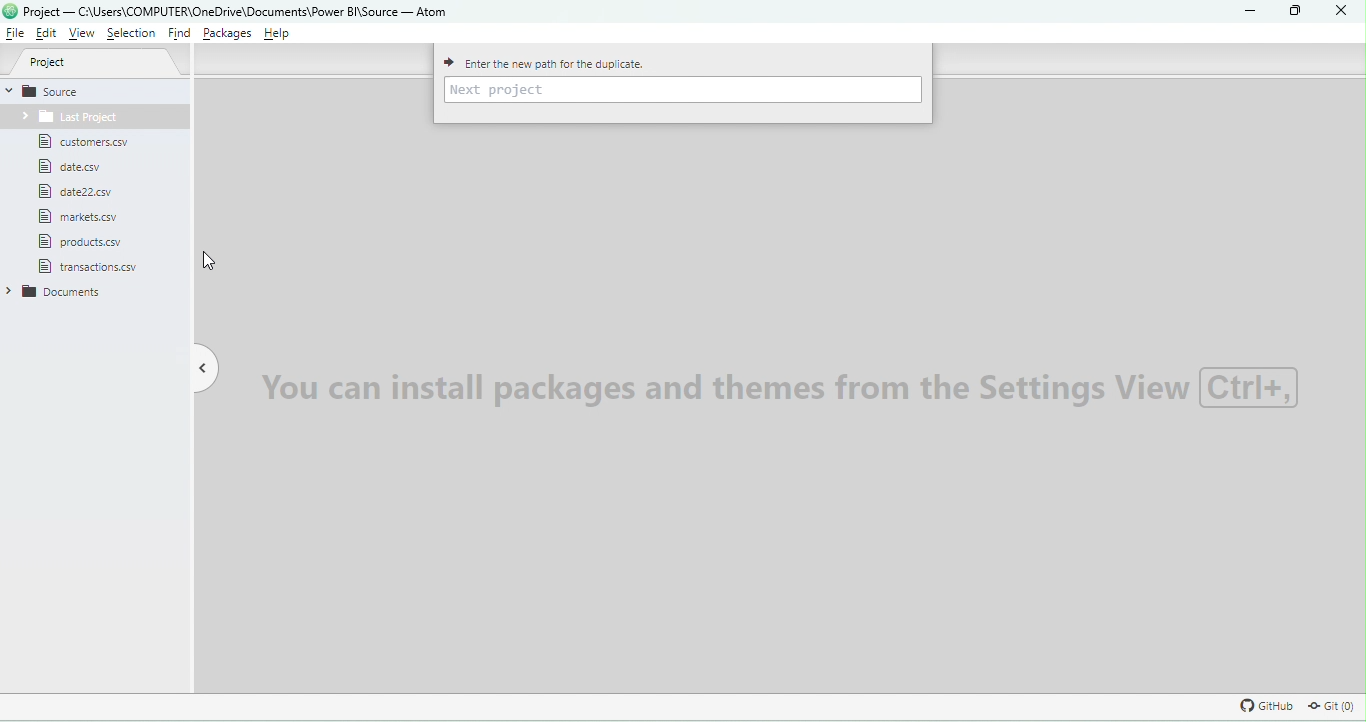  What do you see at coordinates (1343, 15) in the screenshot?
I see `Close` at bounding box center [1343, 15].